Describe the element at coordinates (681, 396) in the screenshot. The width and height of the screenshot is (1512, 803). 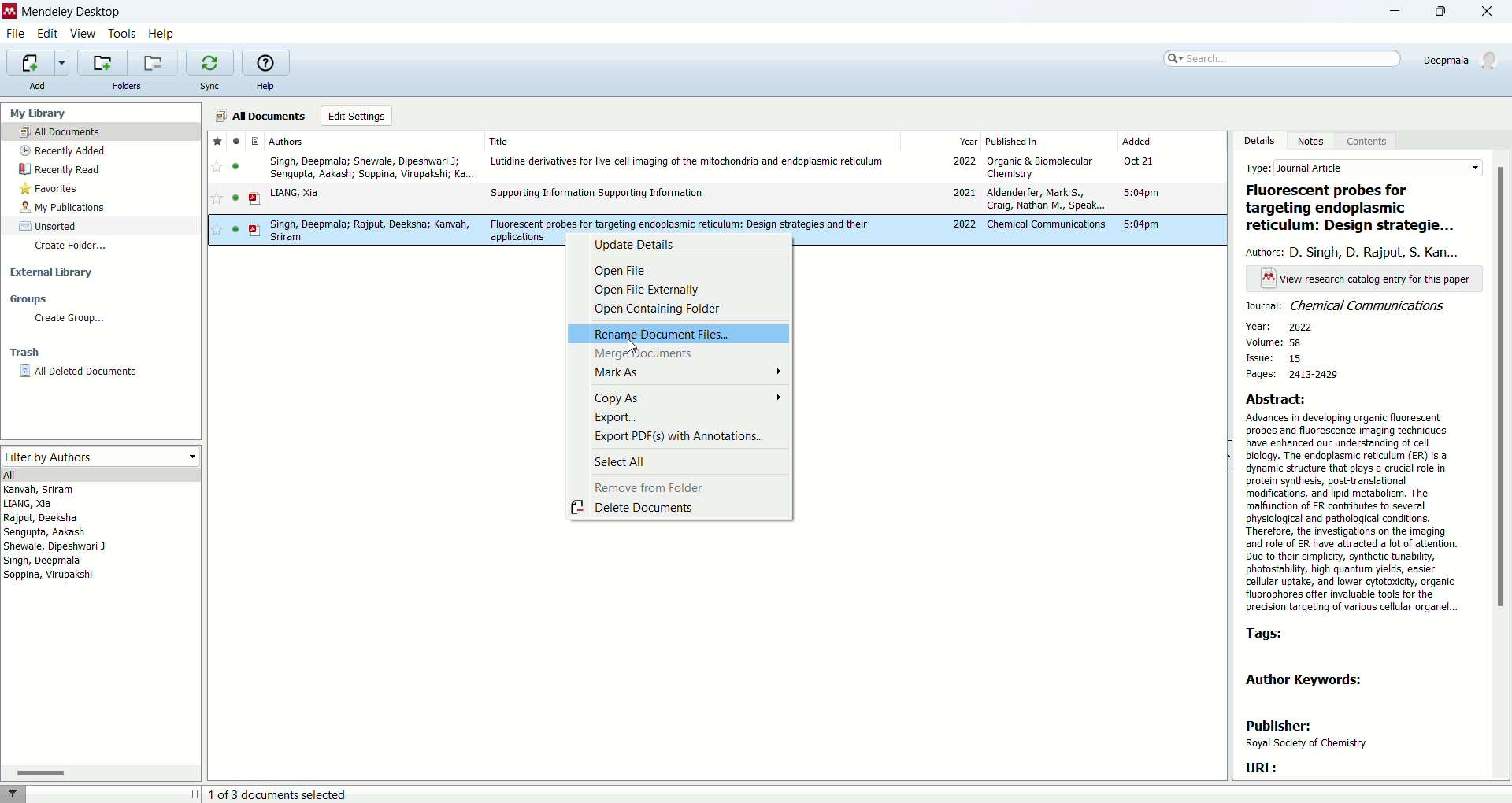
I see `copy as` at that location.